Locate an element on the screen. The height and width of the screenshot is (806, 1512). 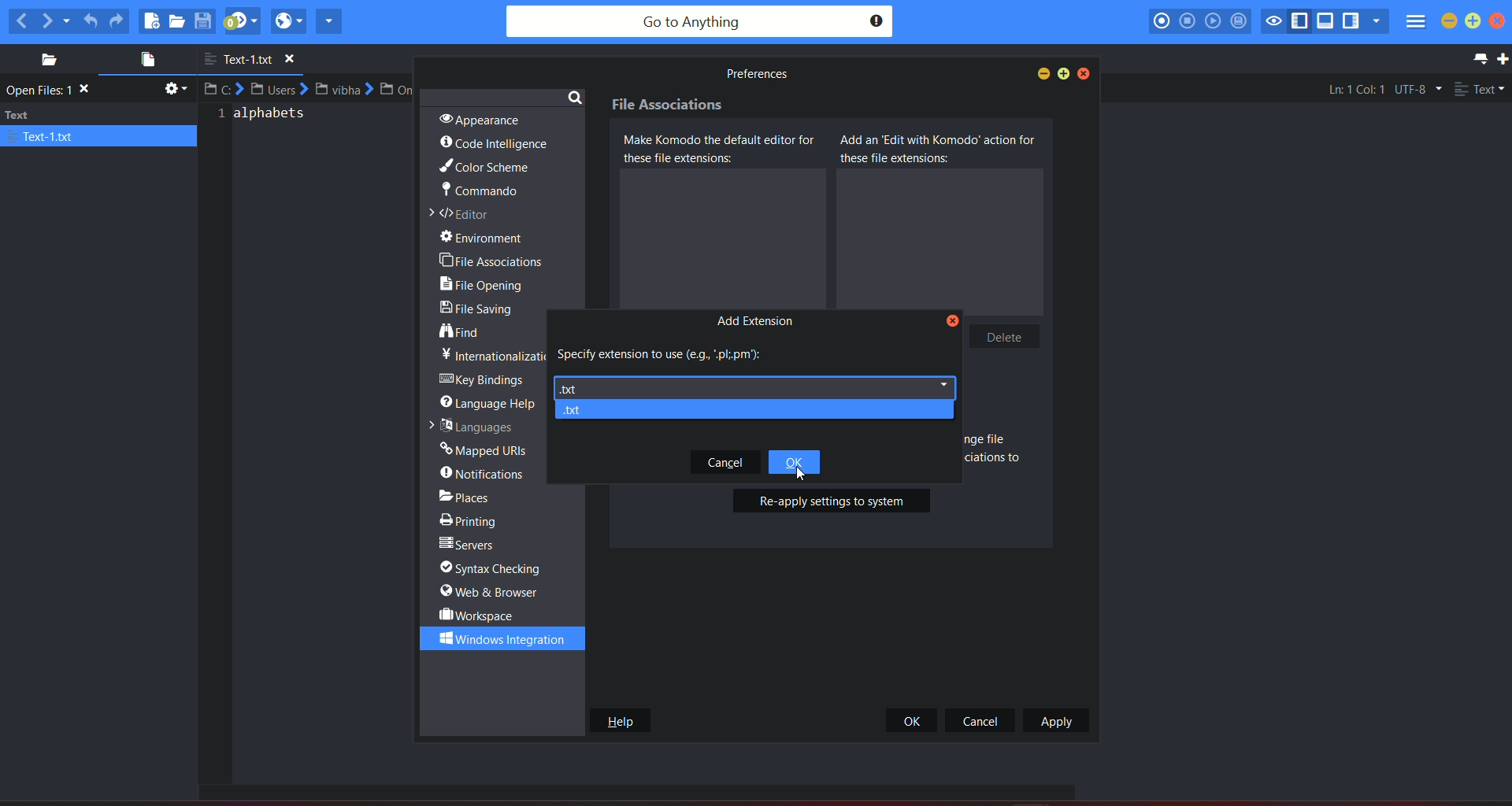
ok is located at coordinates (913, 720).